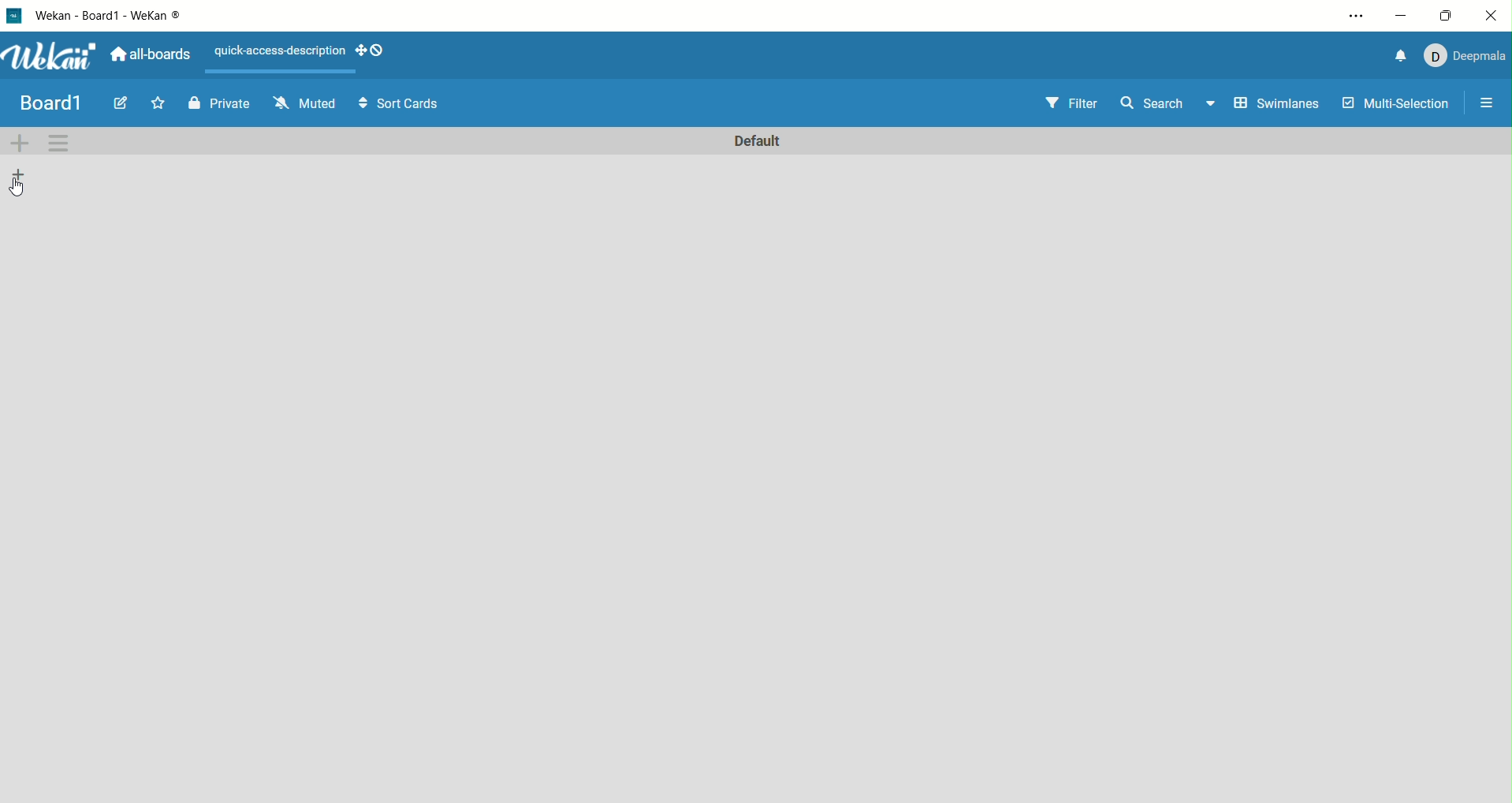 Image resolution: width=1512 pixels, height=803 pixels. What do you see at coordinates (1492, 100) in the screenshot?
I see `open/close sidebar` at bounding box center [1492, 100].